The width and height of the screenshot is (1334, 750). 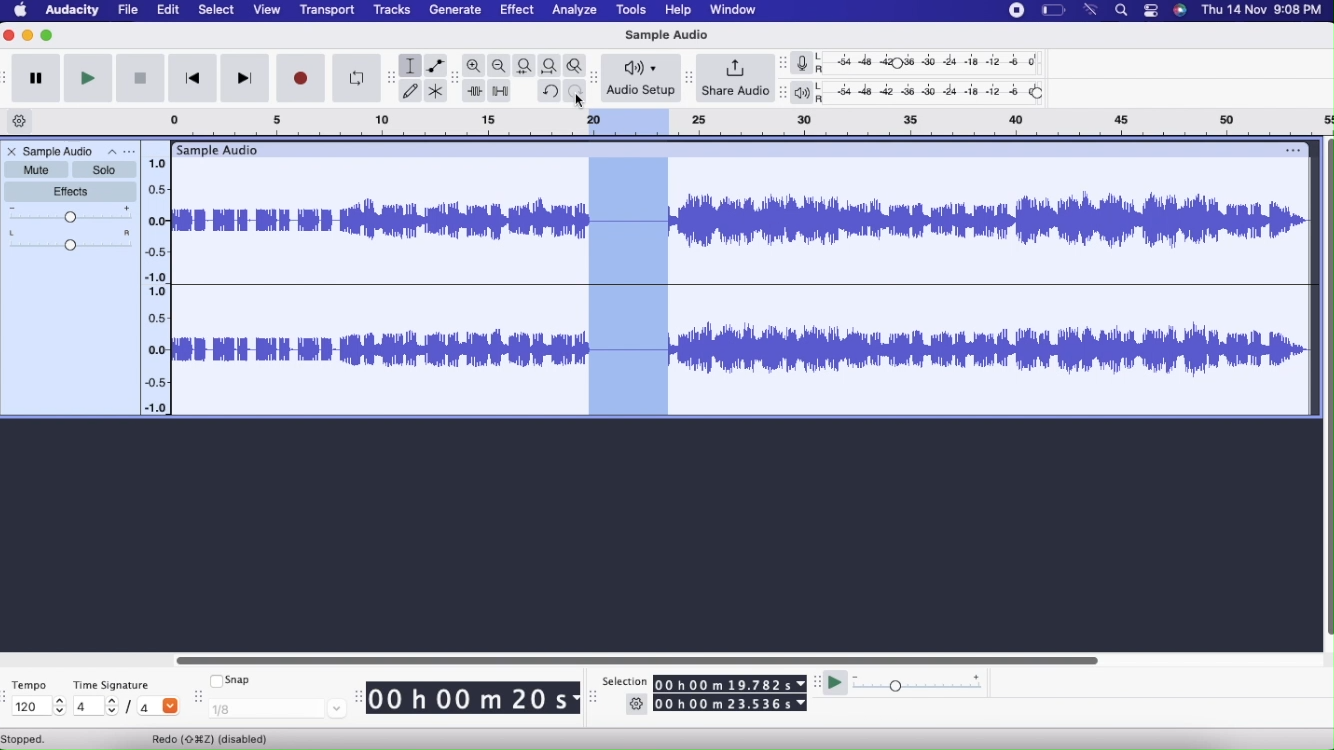 I want to click on network, so click(x=1092, y=10).